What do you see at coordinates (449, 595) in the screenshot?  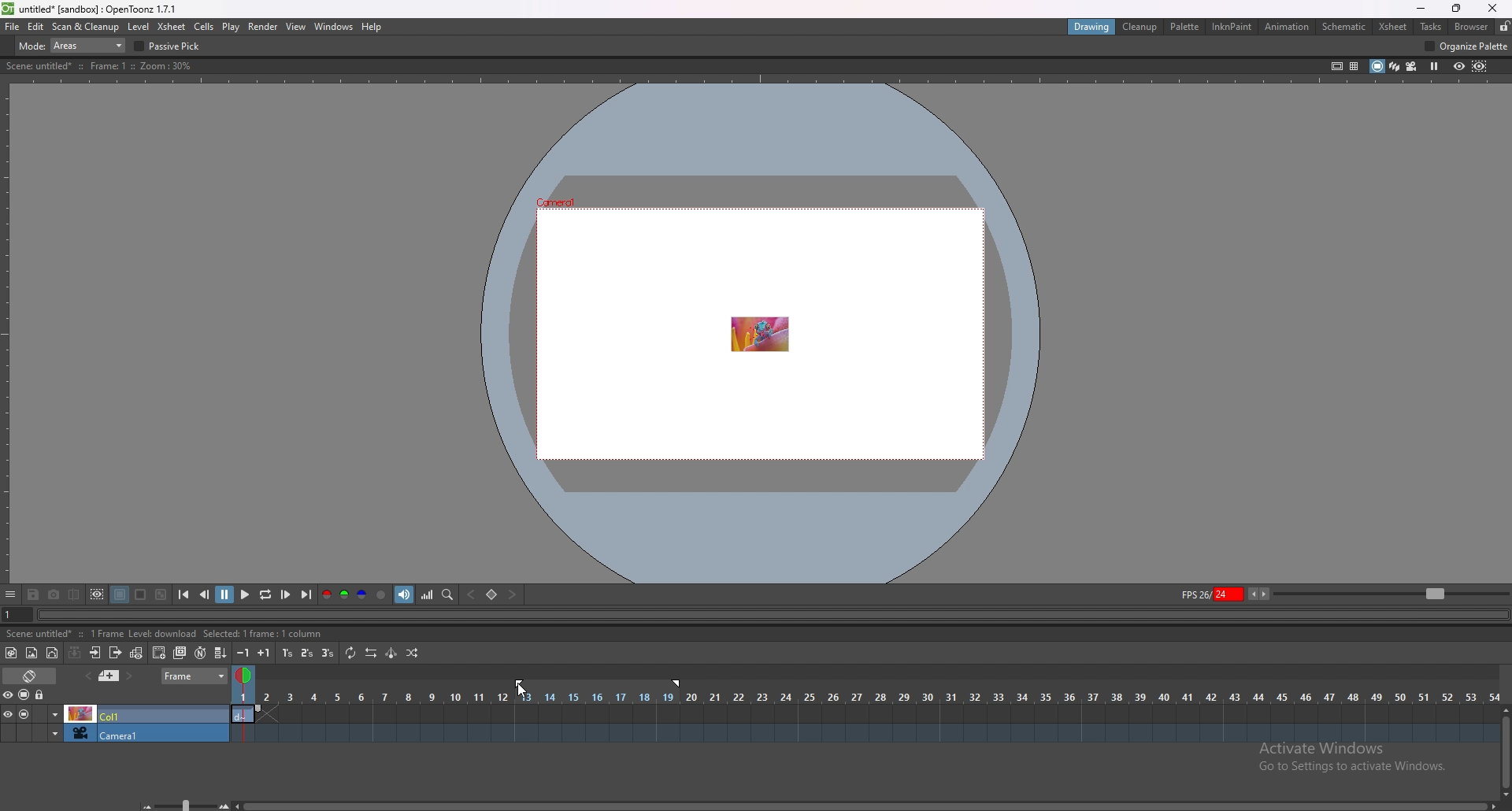 I see `locator` at bounding box center [449, 595].